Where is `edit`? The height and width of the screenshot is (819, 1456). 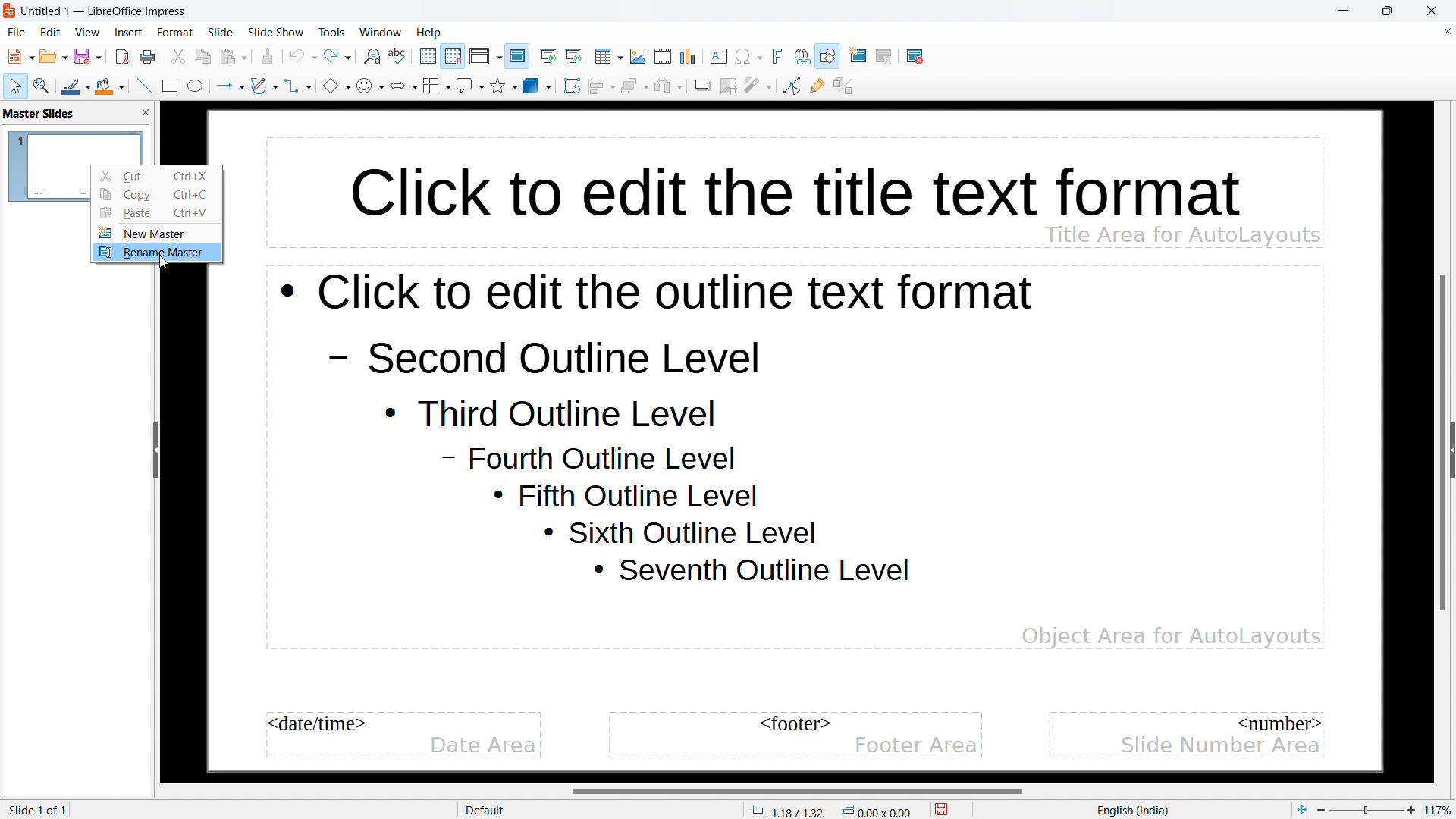 edit is located at coordinates (51, 33).